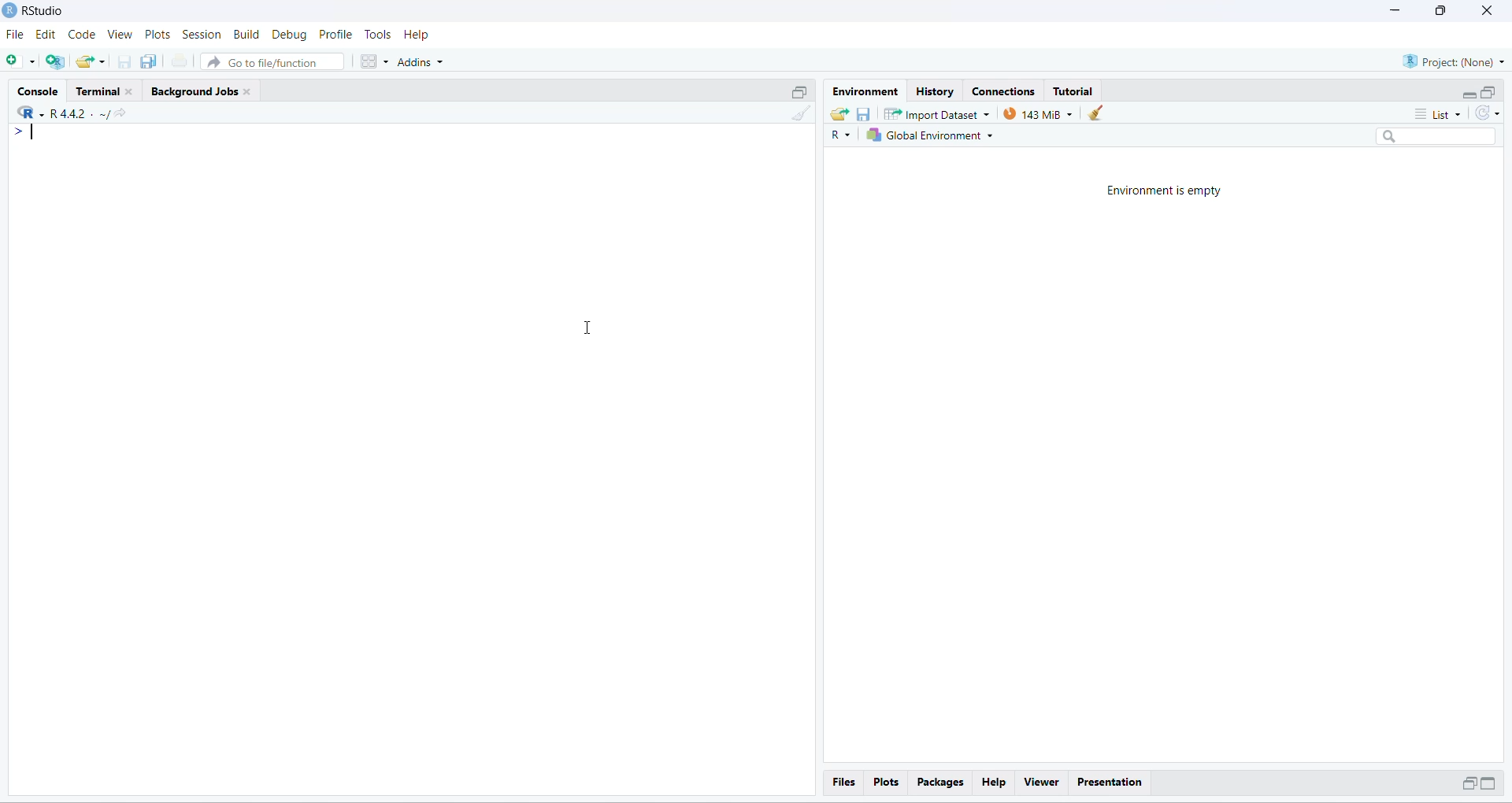 The image size is (1512, 803). I want to click on background jobs, so click(194, 94).